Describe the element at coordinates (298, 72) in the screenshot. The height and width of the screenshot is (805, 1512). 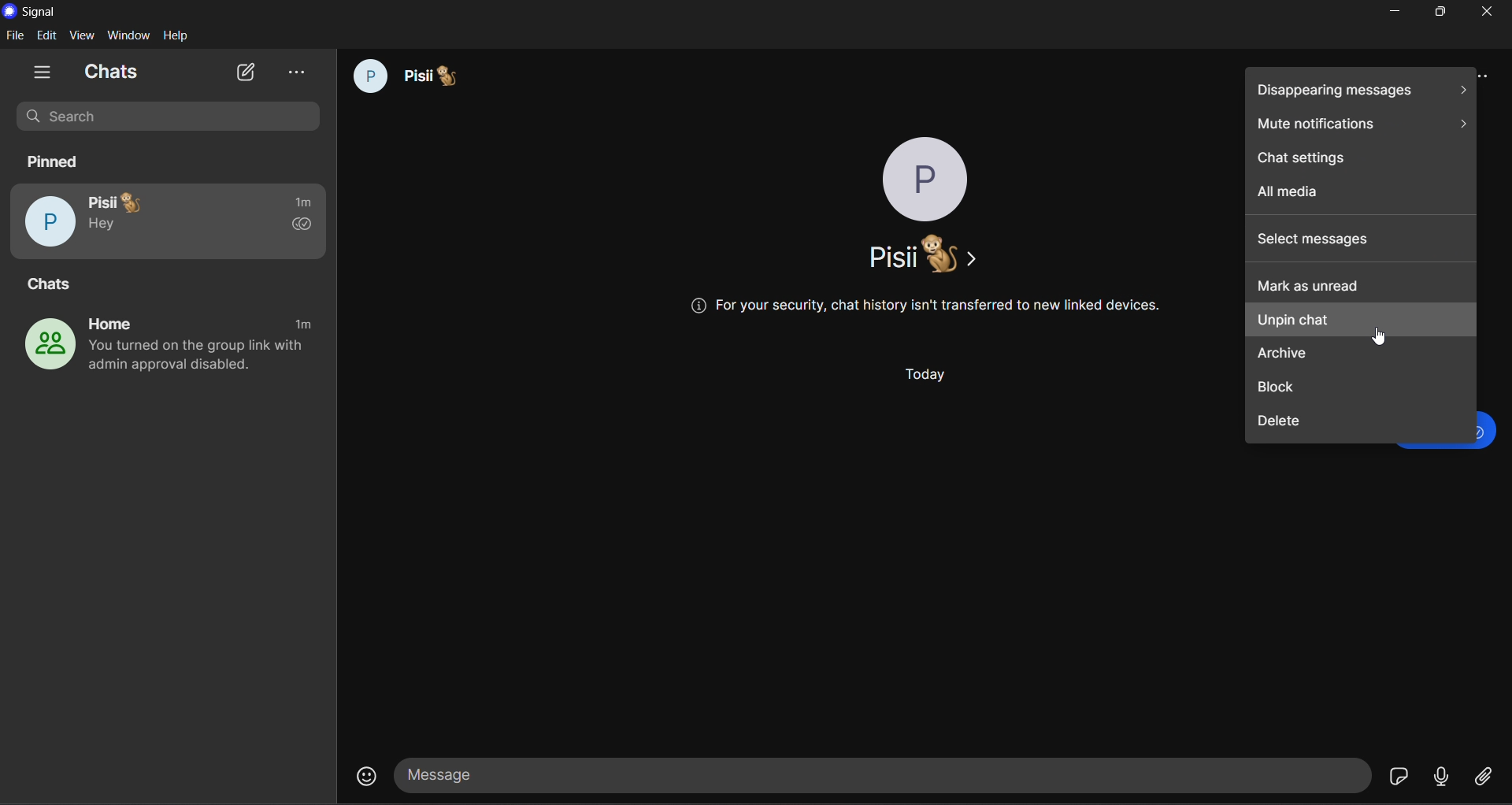
I see `view archive` at that location.